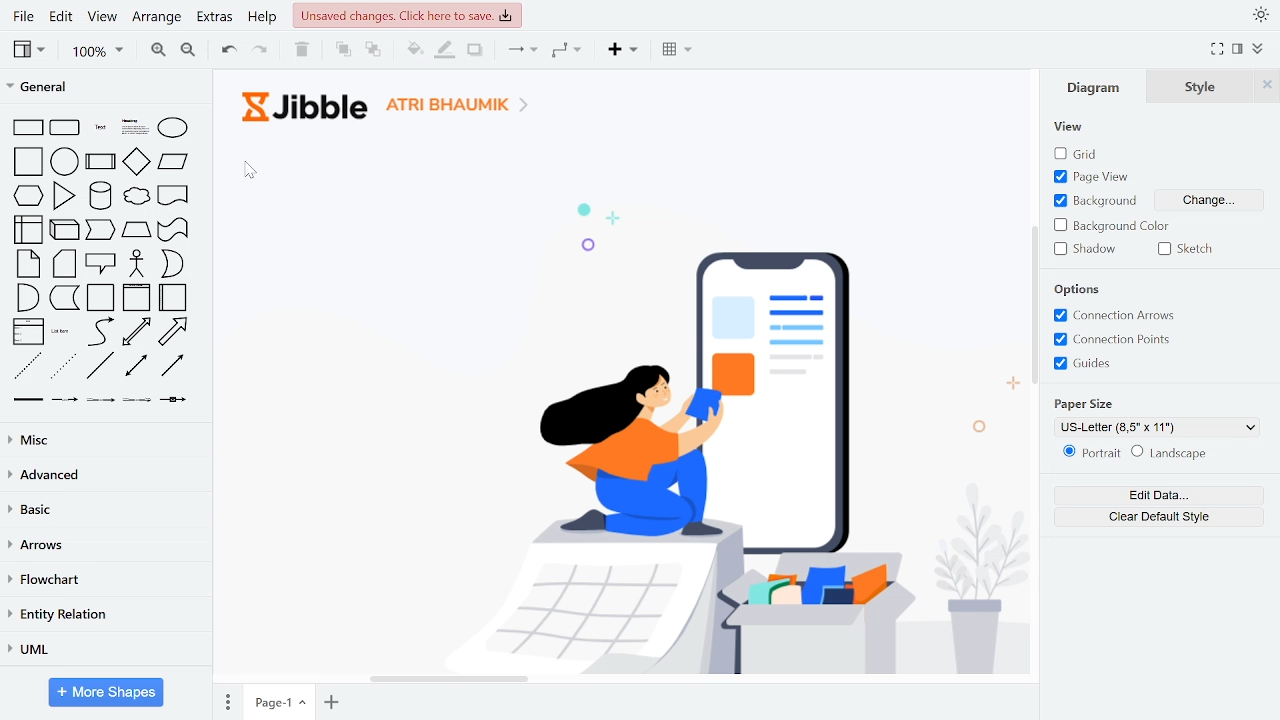 This screenshot has height=720, width=1280. I want to click on general shapes, so click(25, 400).